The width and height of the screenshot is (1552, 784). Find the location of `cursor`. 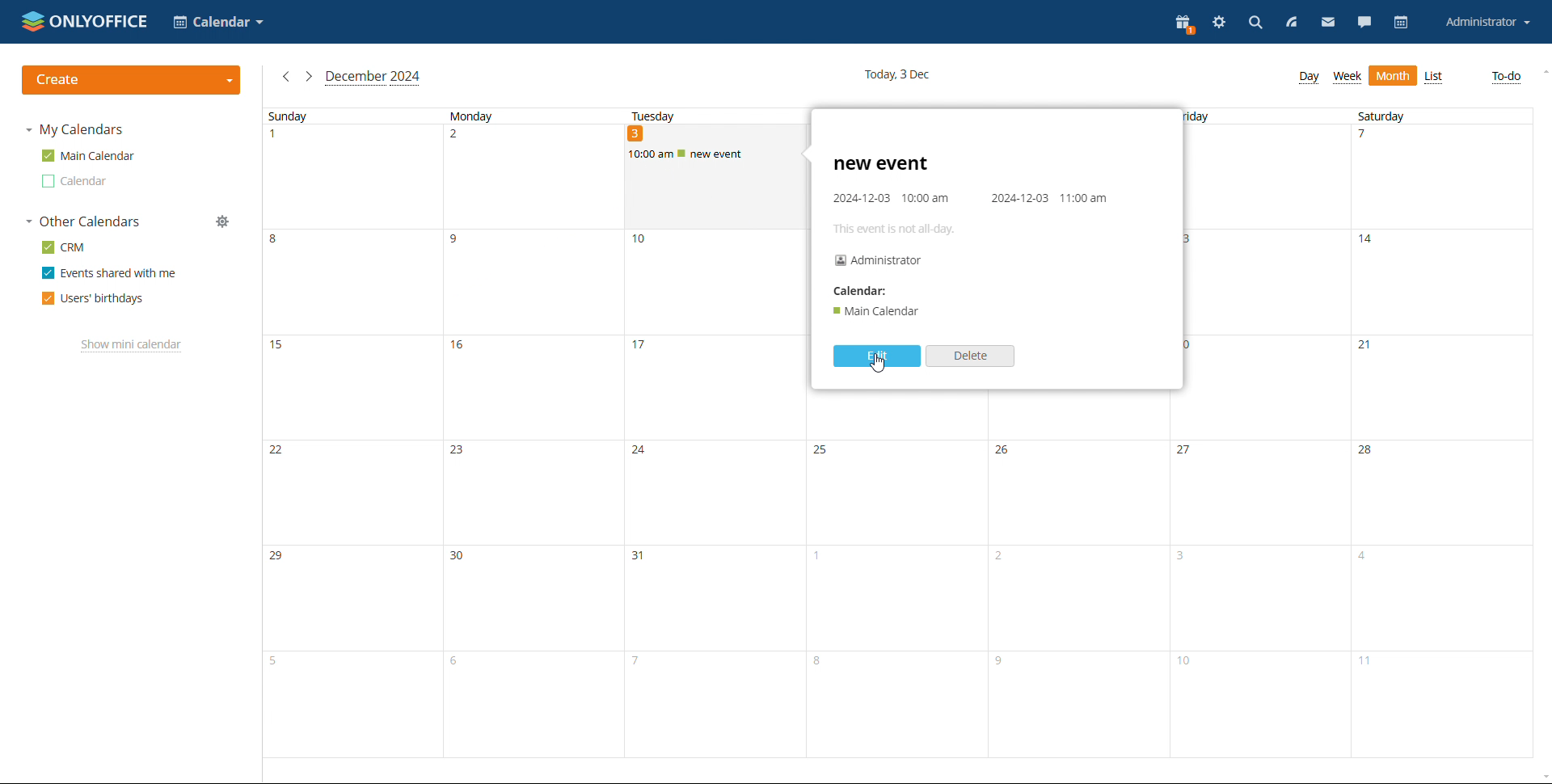

cursor is located at coordinates (881, 365).